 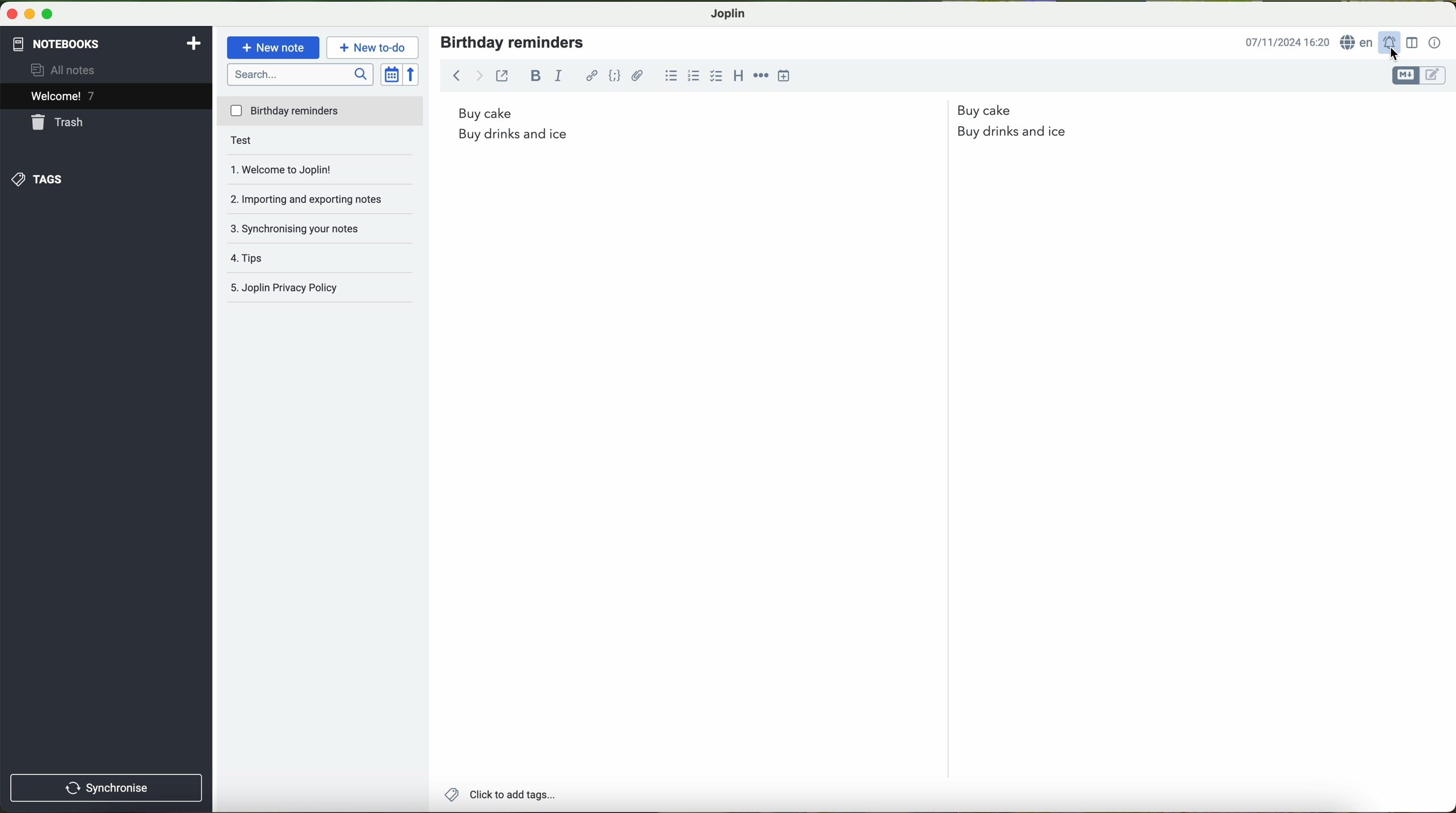 I want to click on set alarm, so click(x=1392, y=43).